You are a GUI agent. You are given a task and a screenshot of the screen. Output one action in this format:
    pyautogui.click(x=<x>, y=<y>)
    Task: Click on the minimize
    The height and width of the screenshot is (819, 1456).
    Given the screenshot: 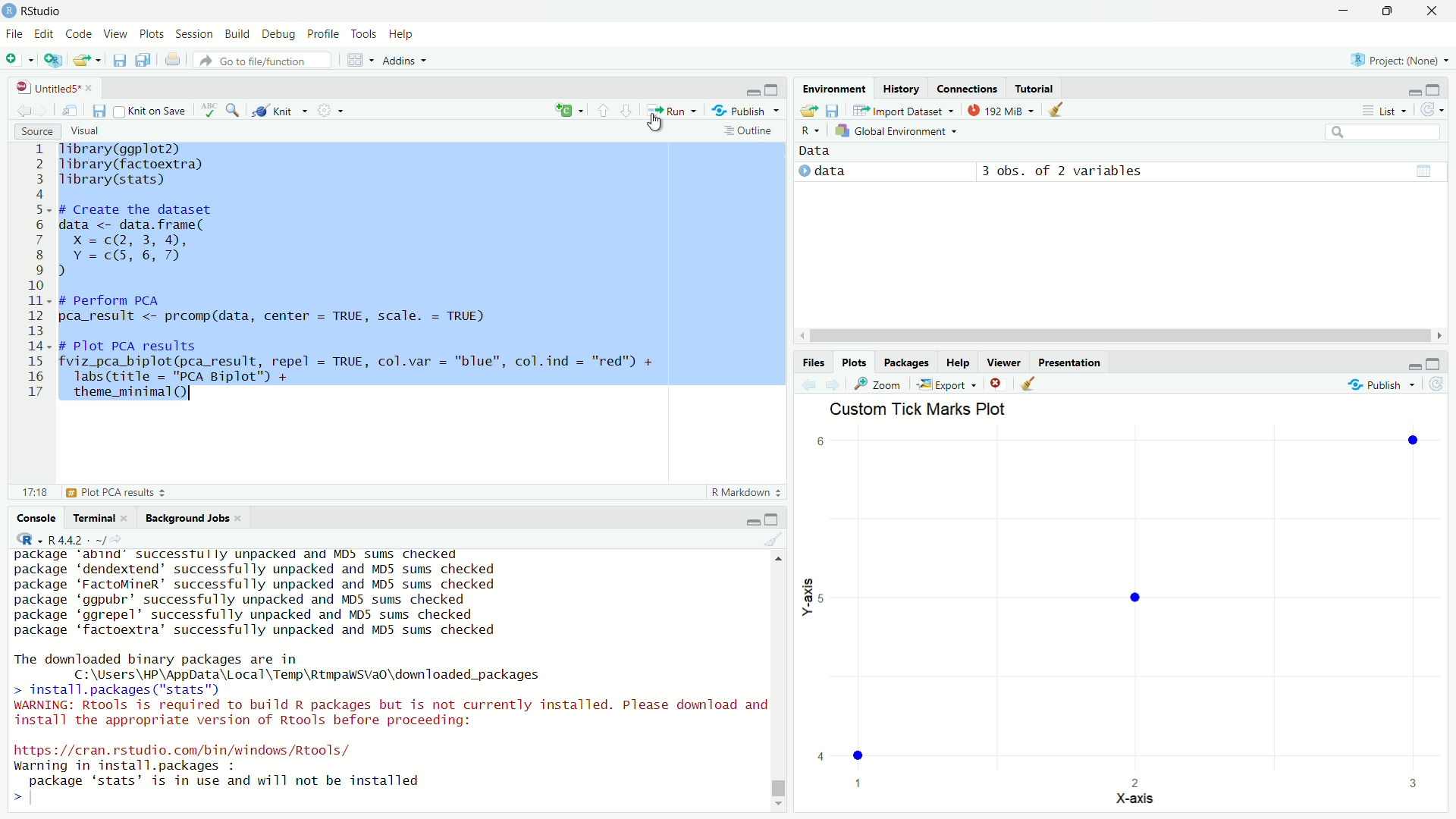 What is the action you would take?
    pyautogui.click(x=754, y=90)
    